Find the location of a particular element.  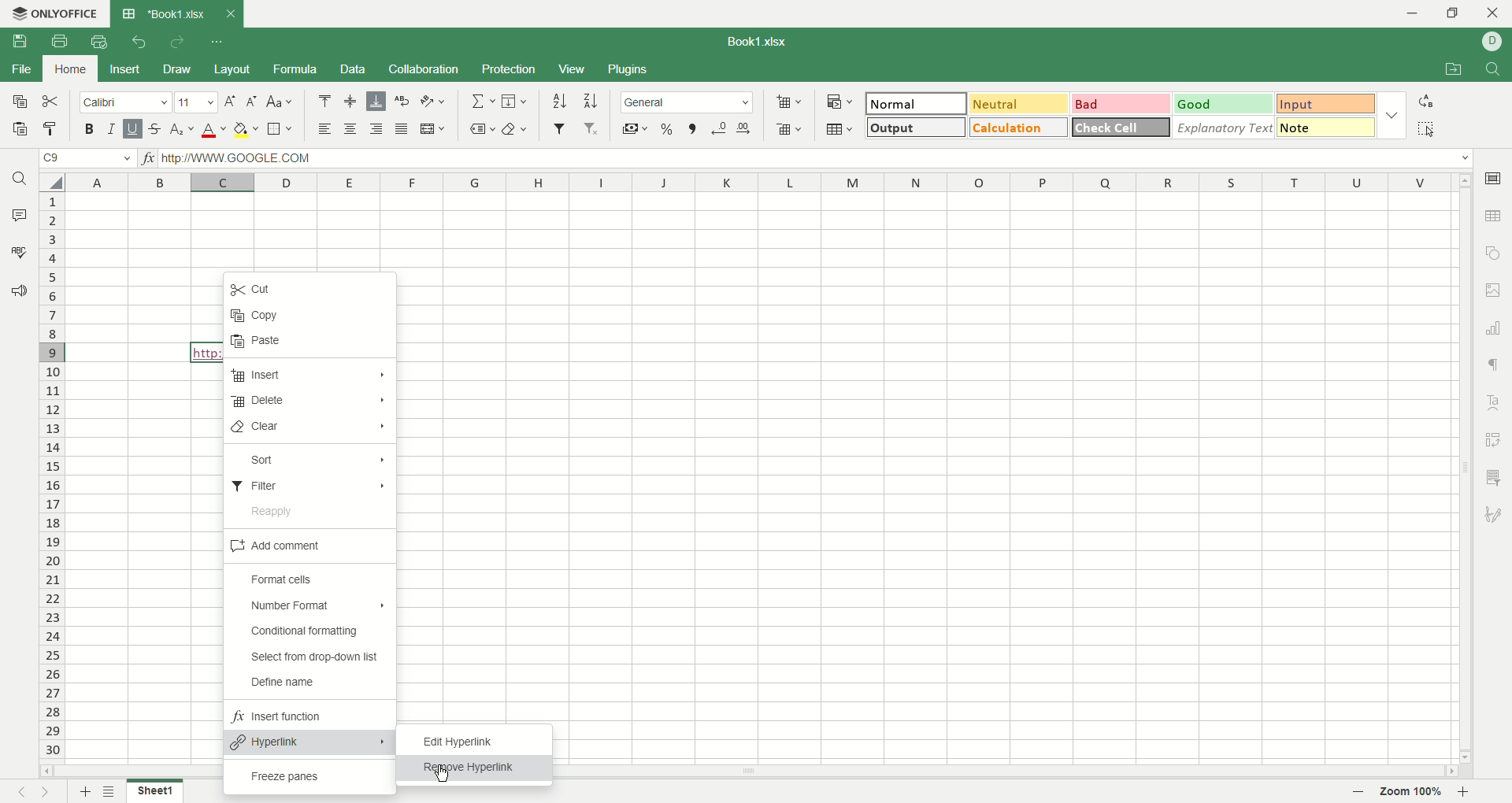

paragraph settings is located at coordinates (1494, 362).